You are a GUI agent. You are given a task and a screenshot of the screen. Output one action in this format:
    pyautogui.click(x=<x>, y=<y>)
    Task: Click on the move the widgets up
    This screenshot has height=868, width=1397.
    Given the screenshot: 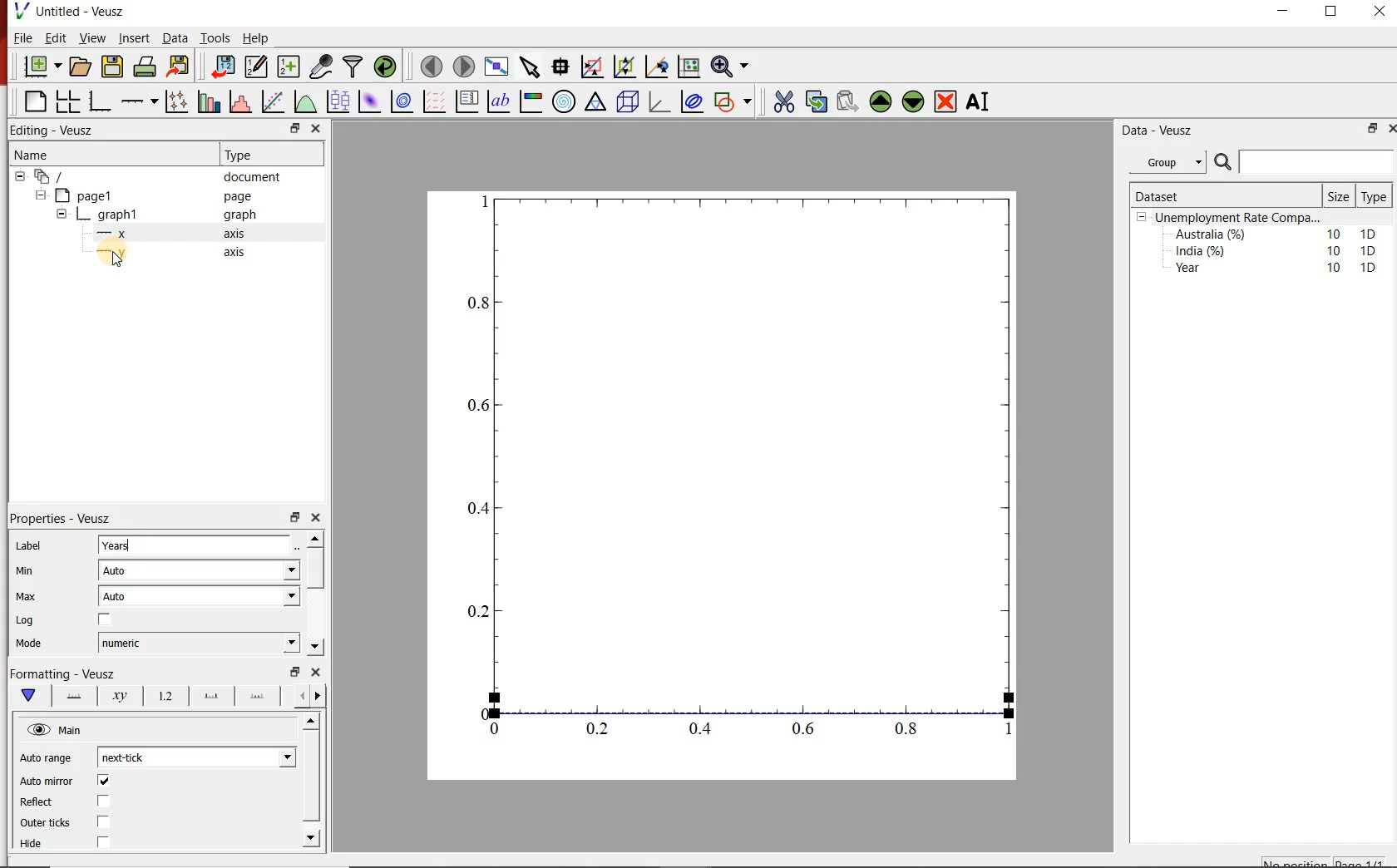 What is the action you would take?
    pyautogui.click(x=881, y=101)
    